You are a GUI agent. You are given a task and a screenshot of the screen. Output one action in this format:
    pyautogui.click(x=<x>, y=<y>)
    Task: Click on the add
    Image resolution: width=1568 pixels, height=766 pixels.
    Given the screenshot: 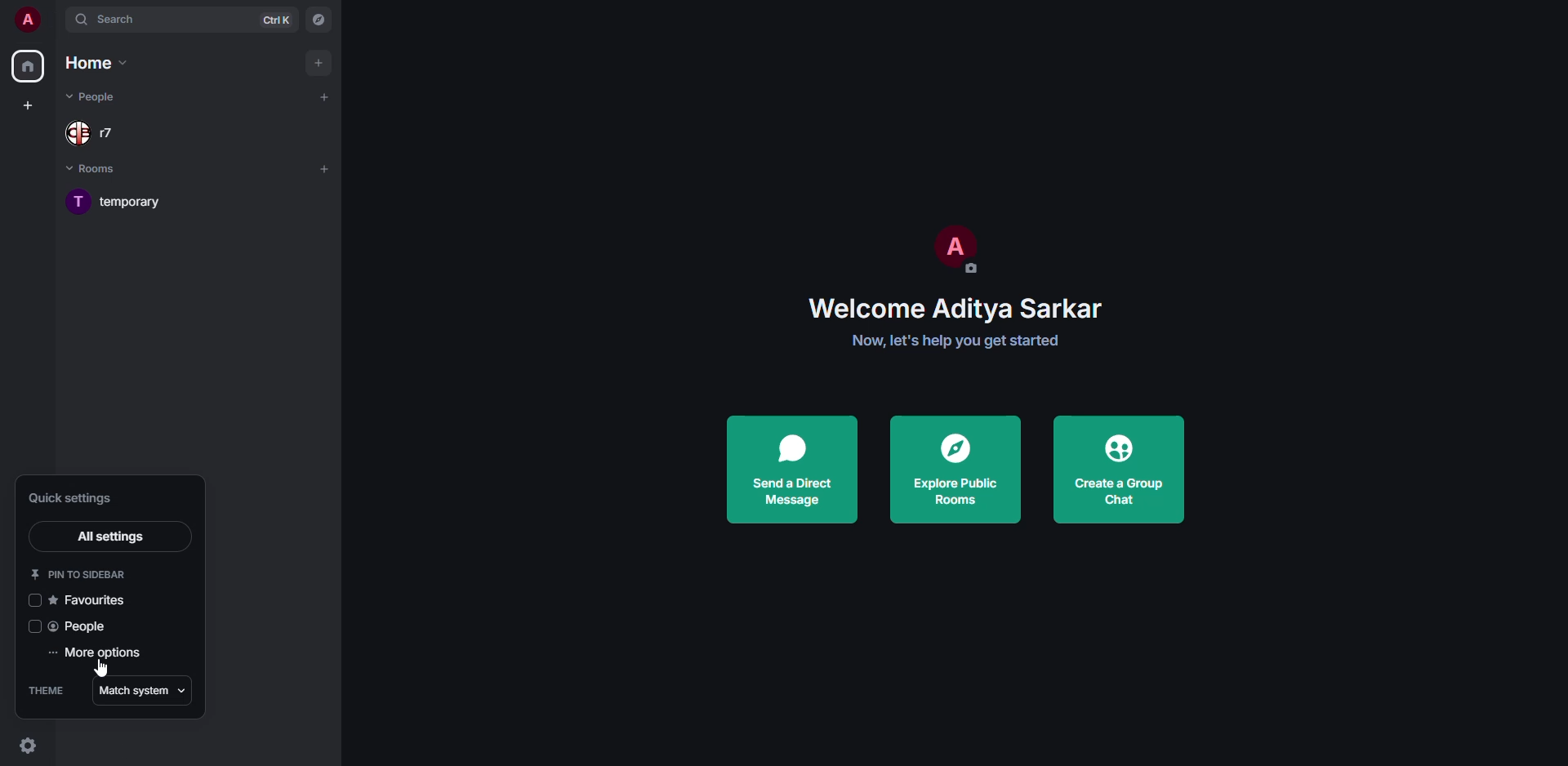 What is the action you would take?
    pyautogui.click(x=325, y=96)
    